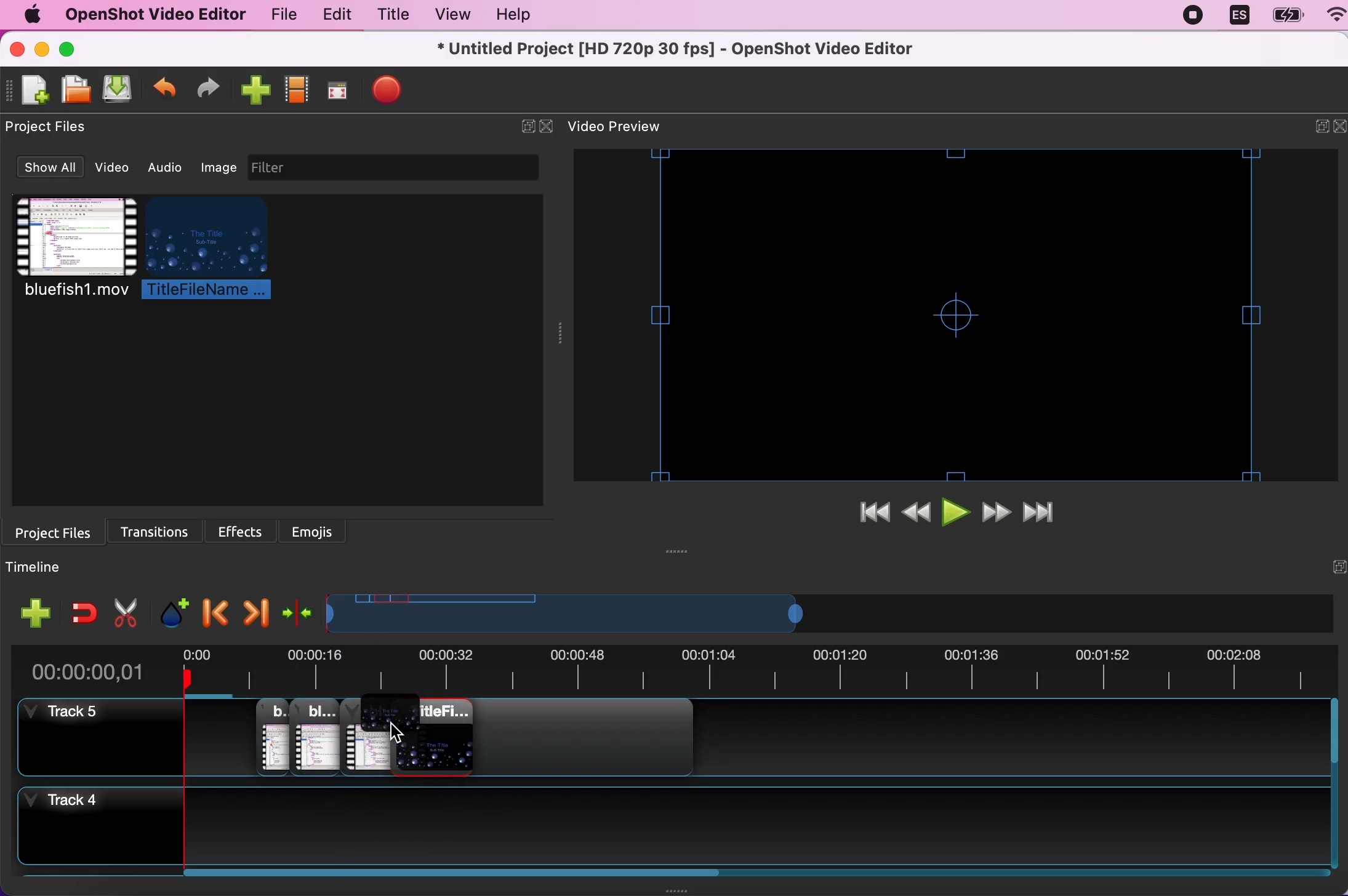  I want to click on track 5, so click(764, 738).